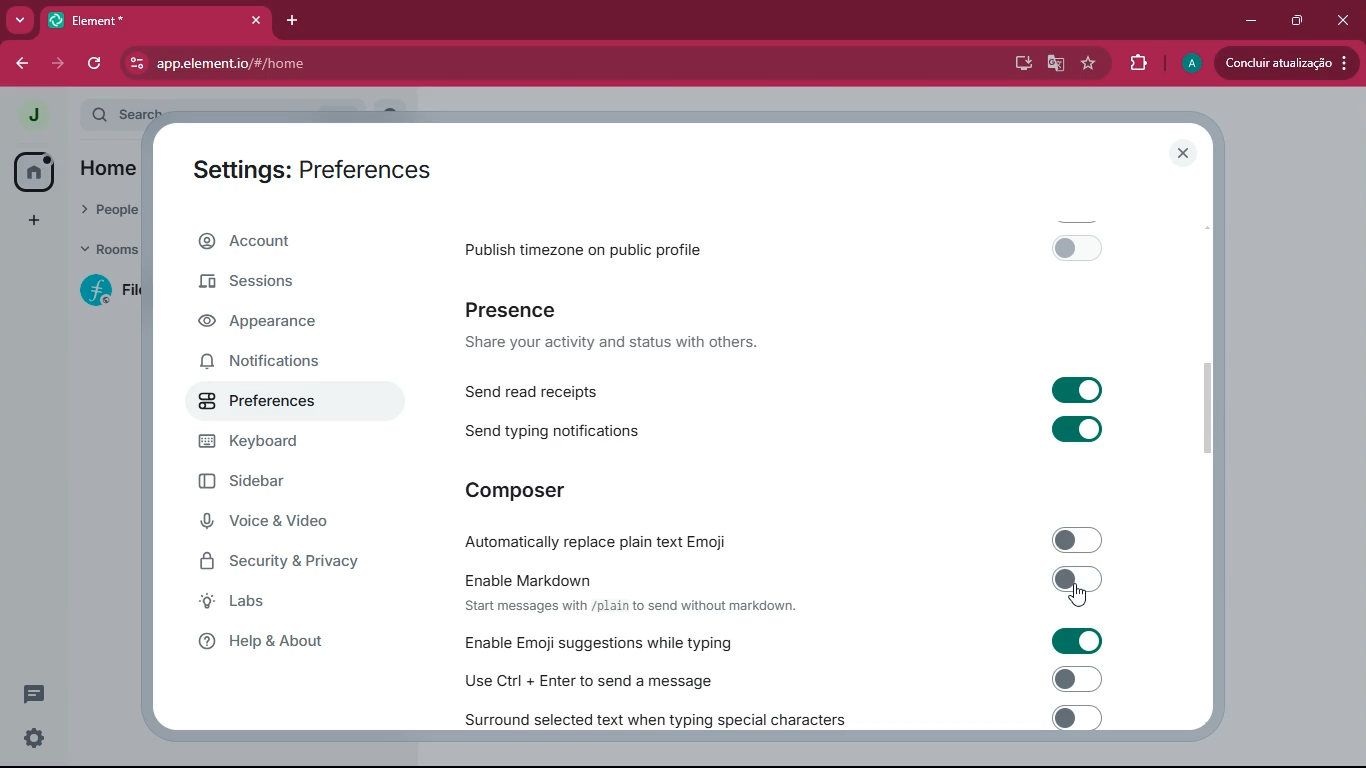  I want to click on composer, so click(519, 489).